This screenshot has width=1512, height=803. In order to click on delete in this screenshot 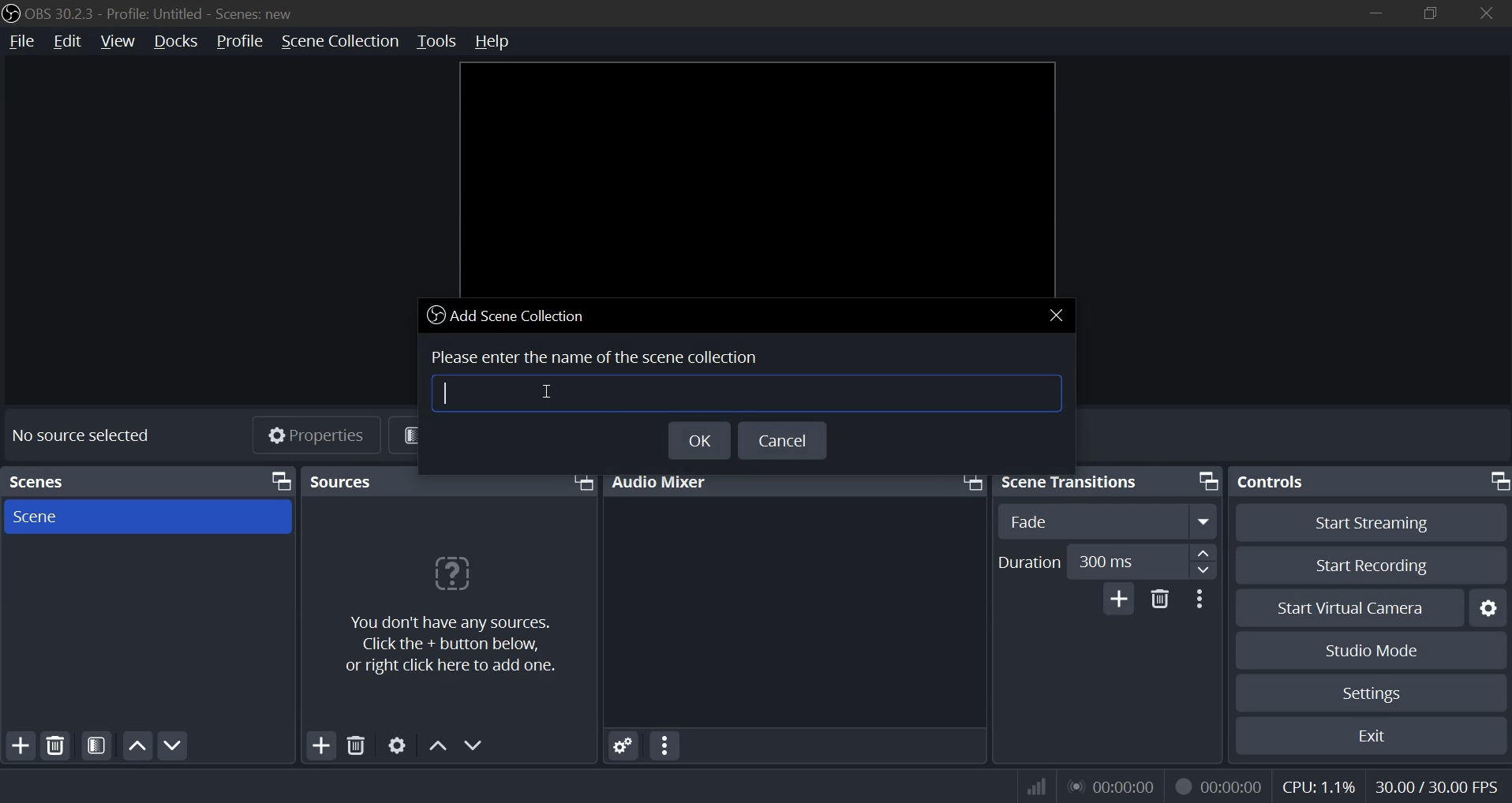, I will do `click(355, 746)`.